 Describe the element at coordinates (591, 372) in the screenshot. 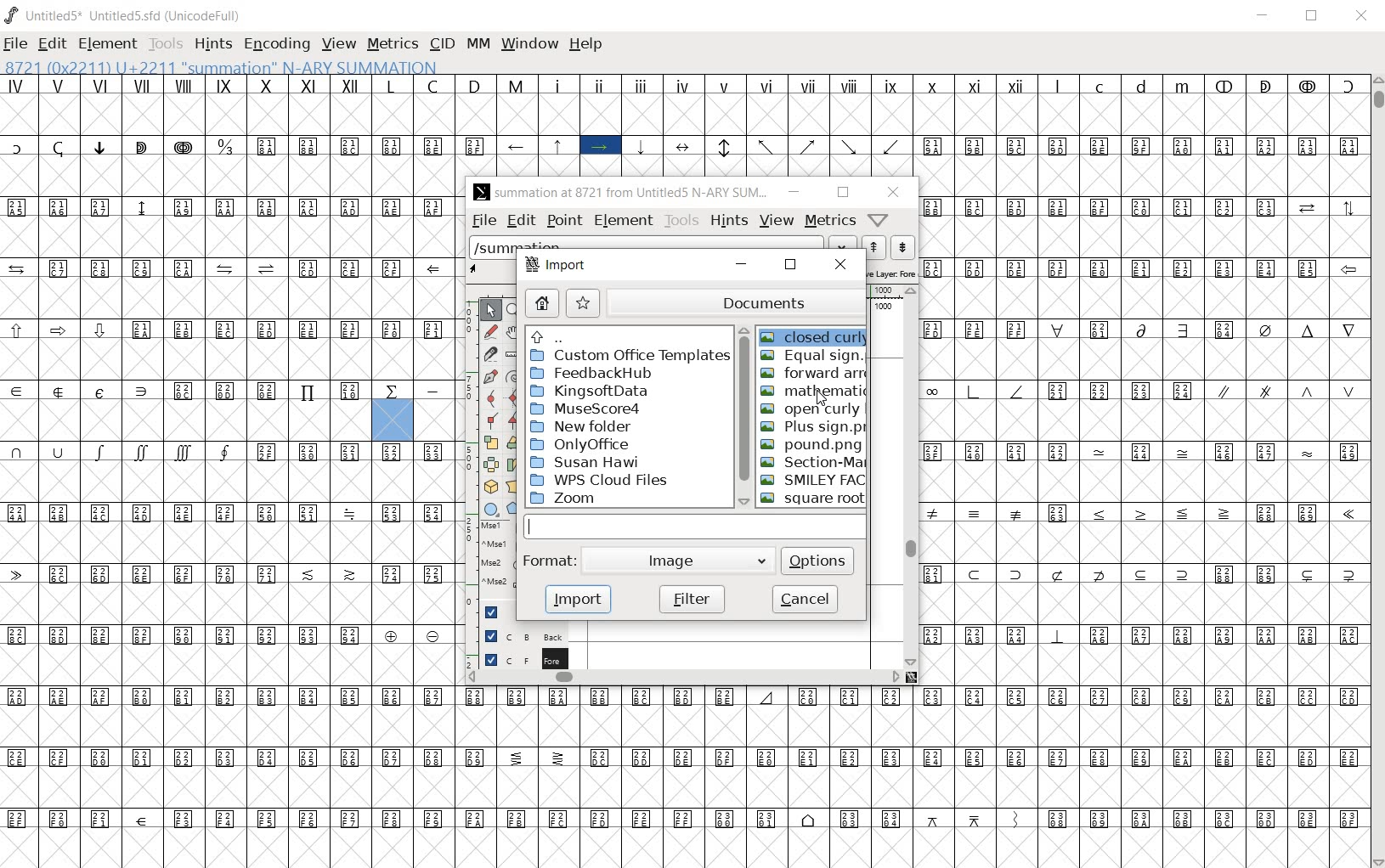

I see `FeedbakHub` at that location.